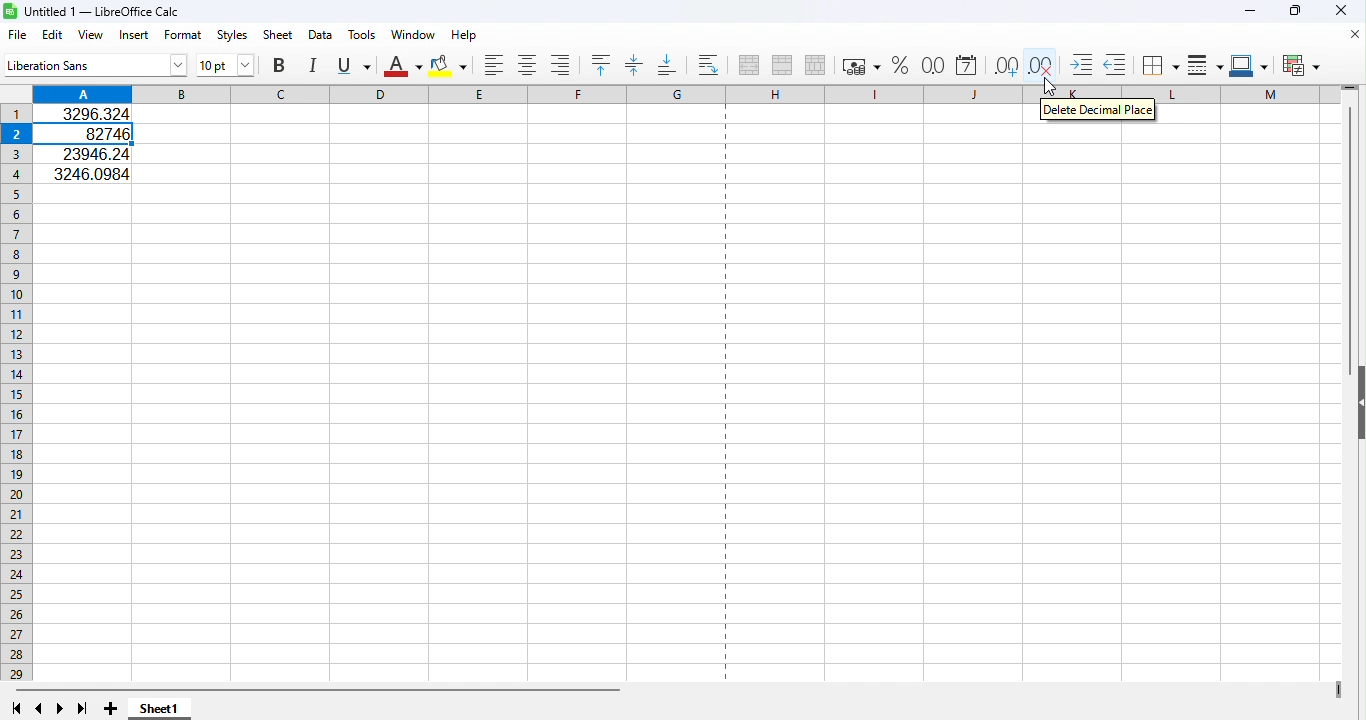 The height and width of the screenshot is (720, 1366). What do you see at coordinates (496, 65) in the screenshot?
I see `Align left` at bounding box center [496, 65].